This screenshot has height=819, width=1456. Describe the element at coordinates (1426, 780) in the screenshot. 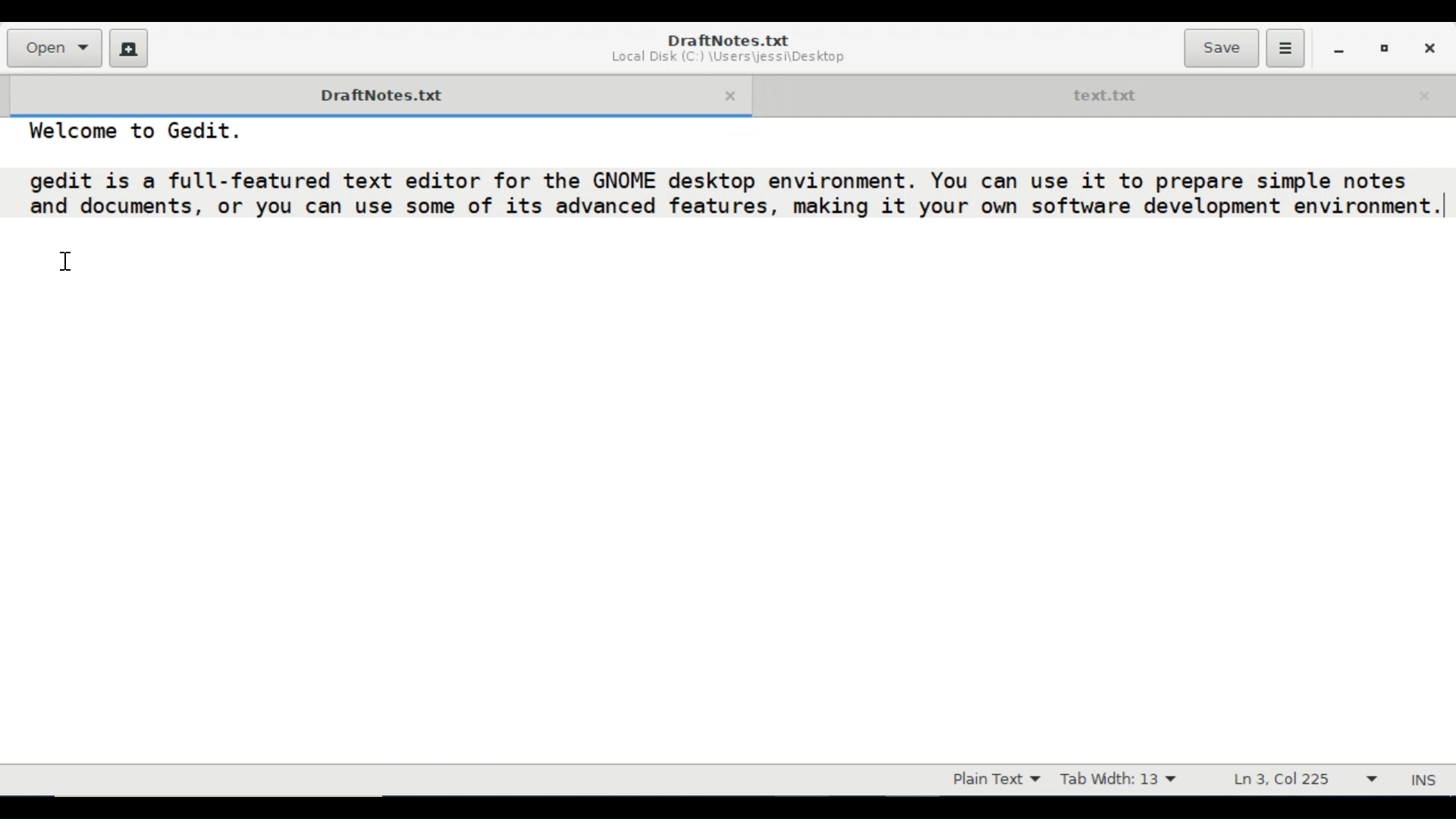

I see `Insert Mode` at that location.